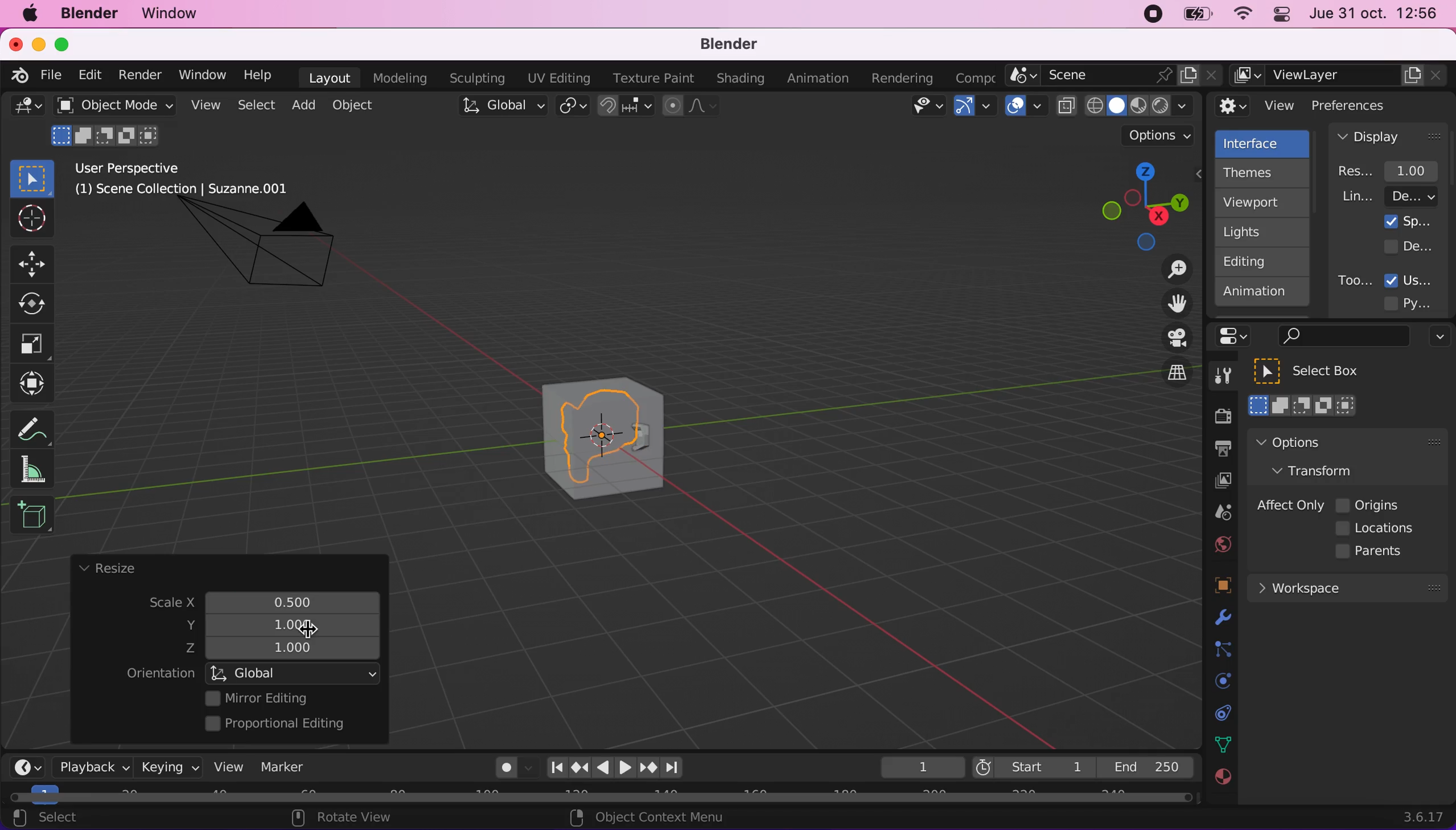 The width and height of the screenshot is (1456, 830). What do you see at coordinates (272, 255) in the screenshot?
I see `camera` at bounding box center [272, 255].